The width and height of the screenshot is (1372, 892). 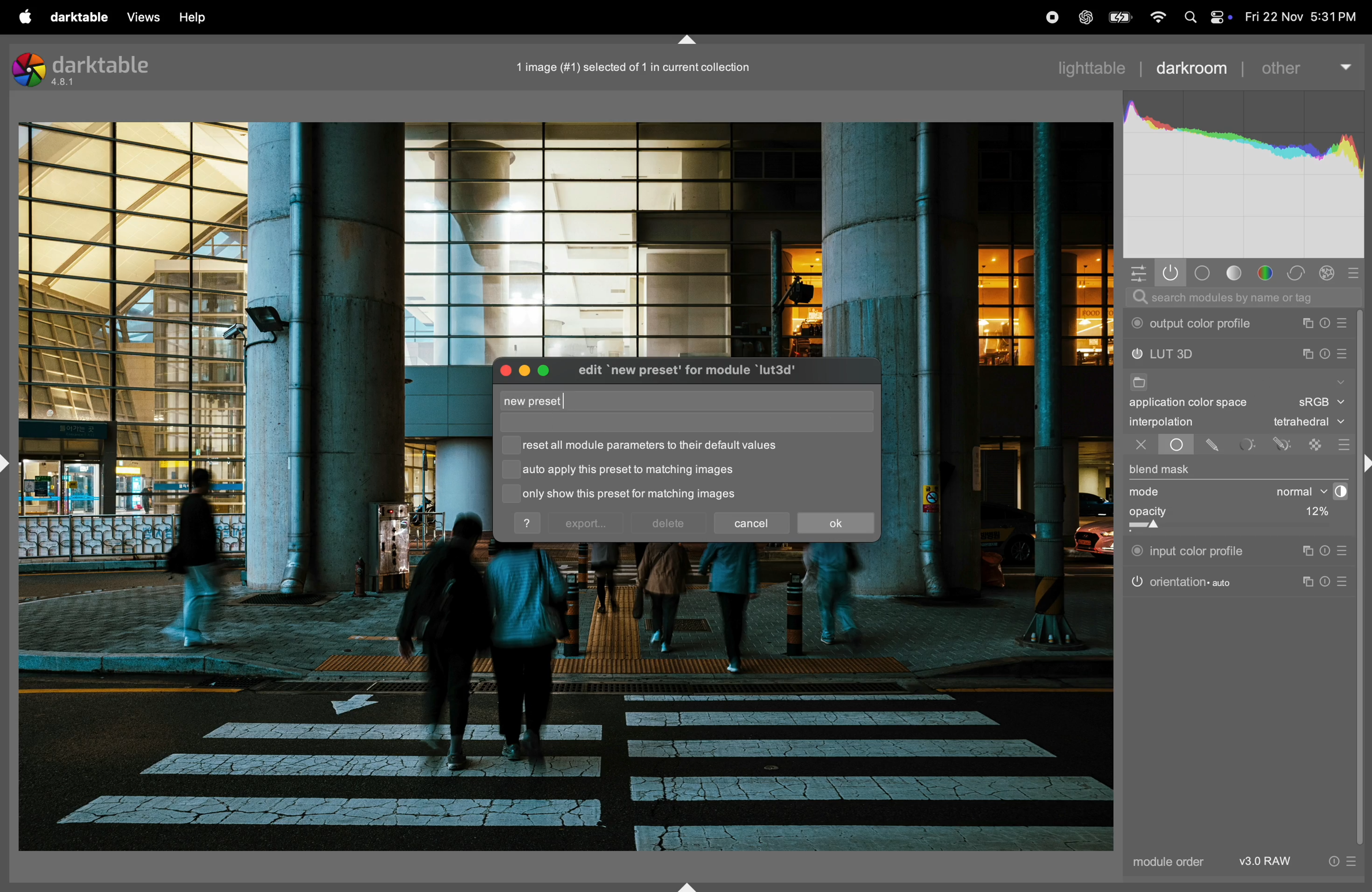 What do you see at coordinates (1299, 273) in the screenshot?
I see `correct` at bounding box center [1299, 273].